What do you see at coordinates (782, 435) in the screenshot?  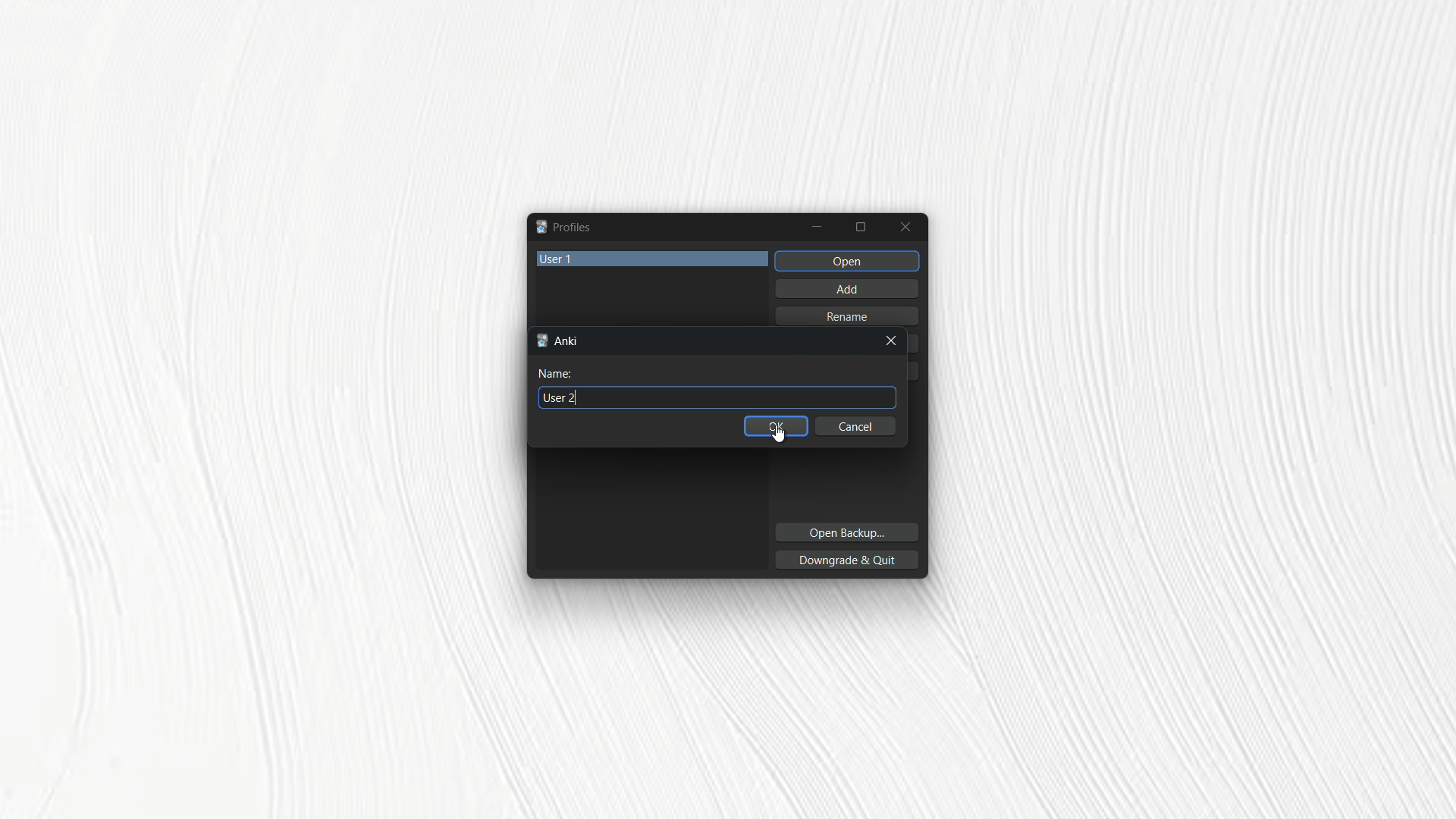 I see `Cursor` at bounding box center [782, 435].